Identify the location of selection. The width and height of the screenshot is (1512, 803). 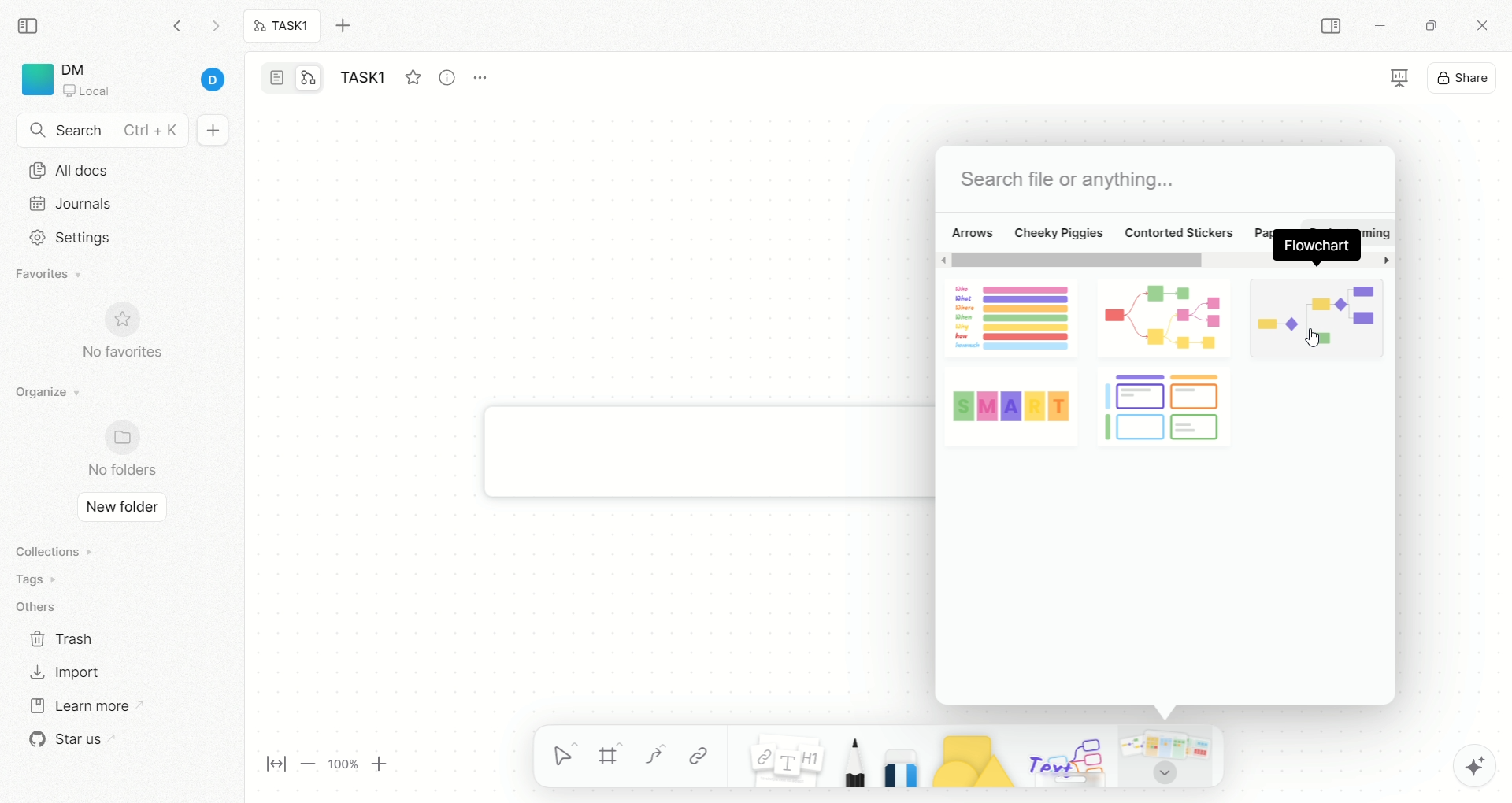
(565, 758).